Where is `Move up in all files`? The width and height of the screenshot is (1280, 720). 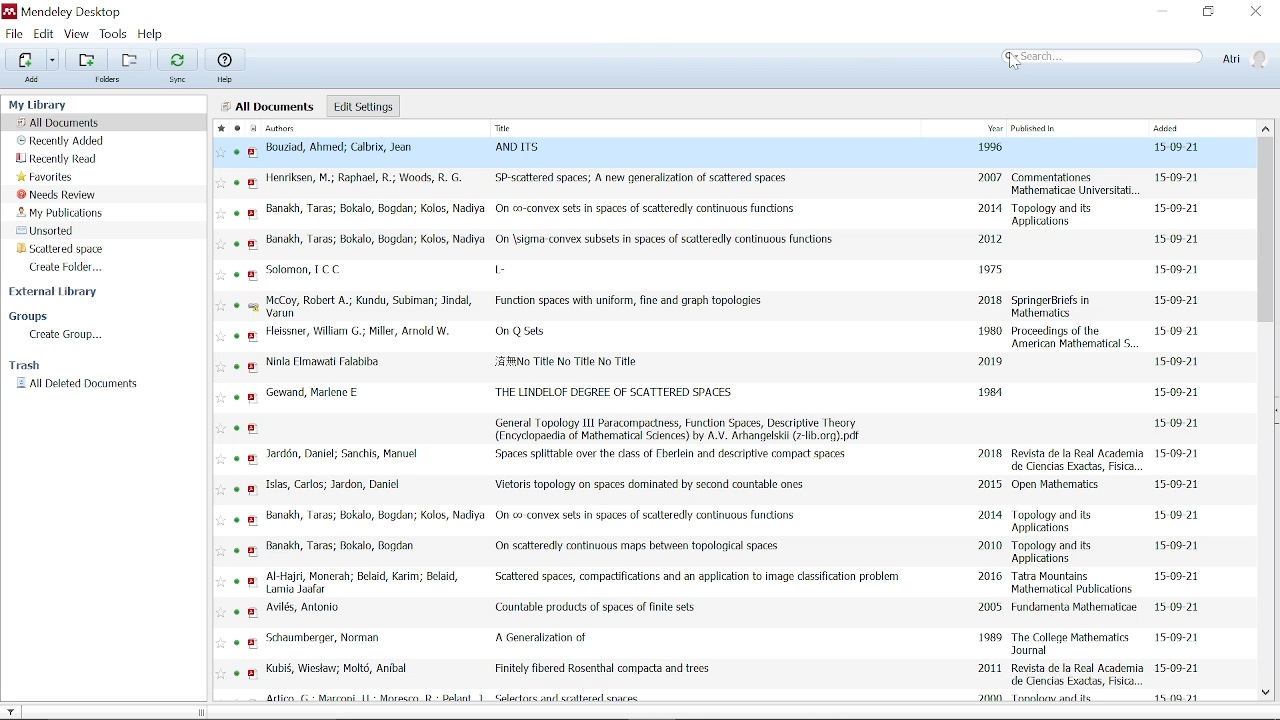 Move up in all files is located at coordinates (1266, 128).